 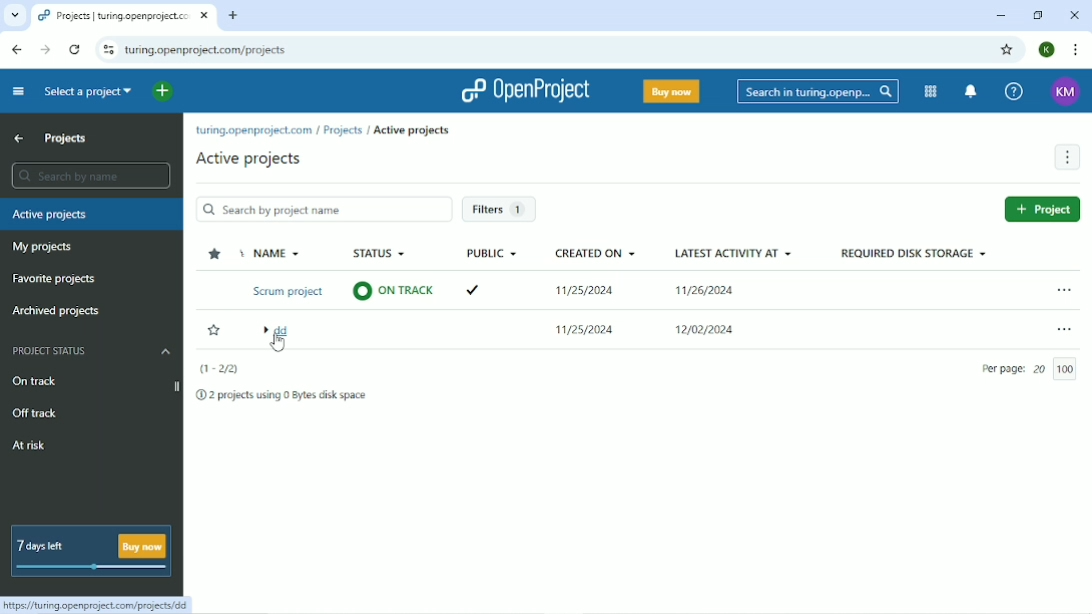 I want to click on Name, so click(x=289, y=297).